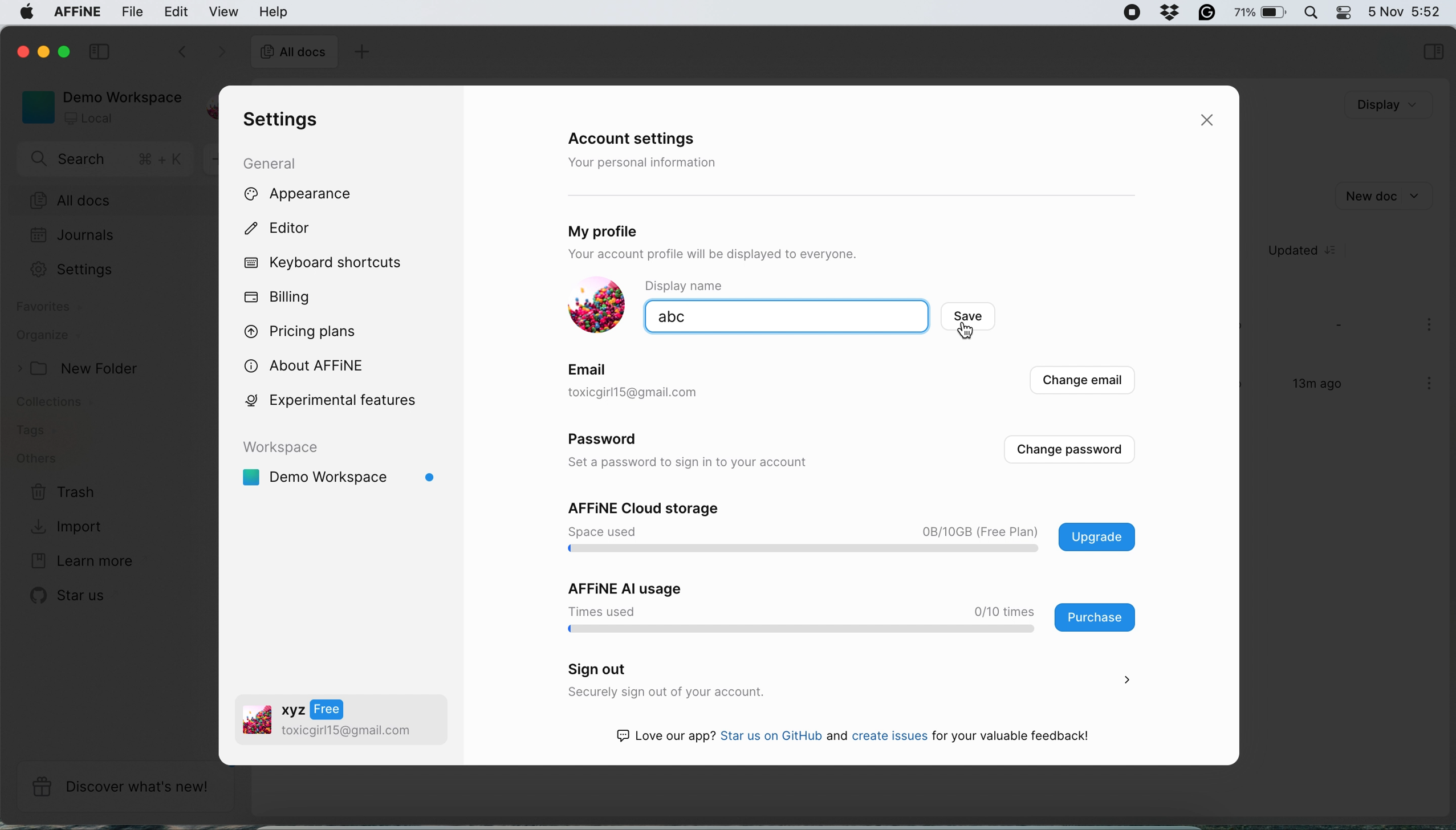 Image resolution: width=1456 pixels, height=830 pixels. Describe the element at coordinates (1309, 12) in the screenshot. I see `spotlight search` at that location.